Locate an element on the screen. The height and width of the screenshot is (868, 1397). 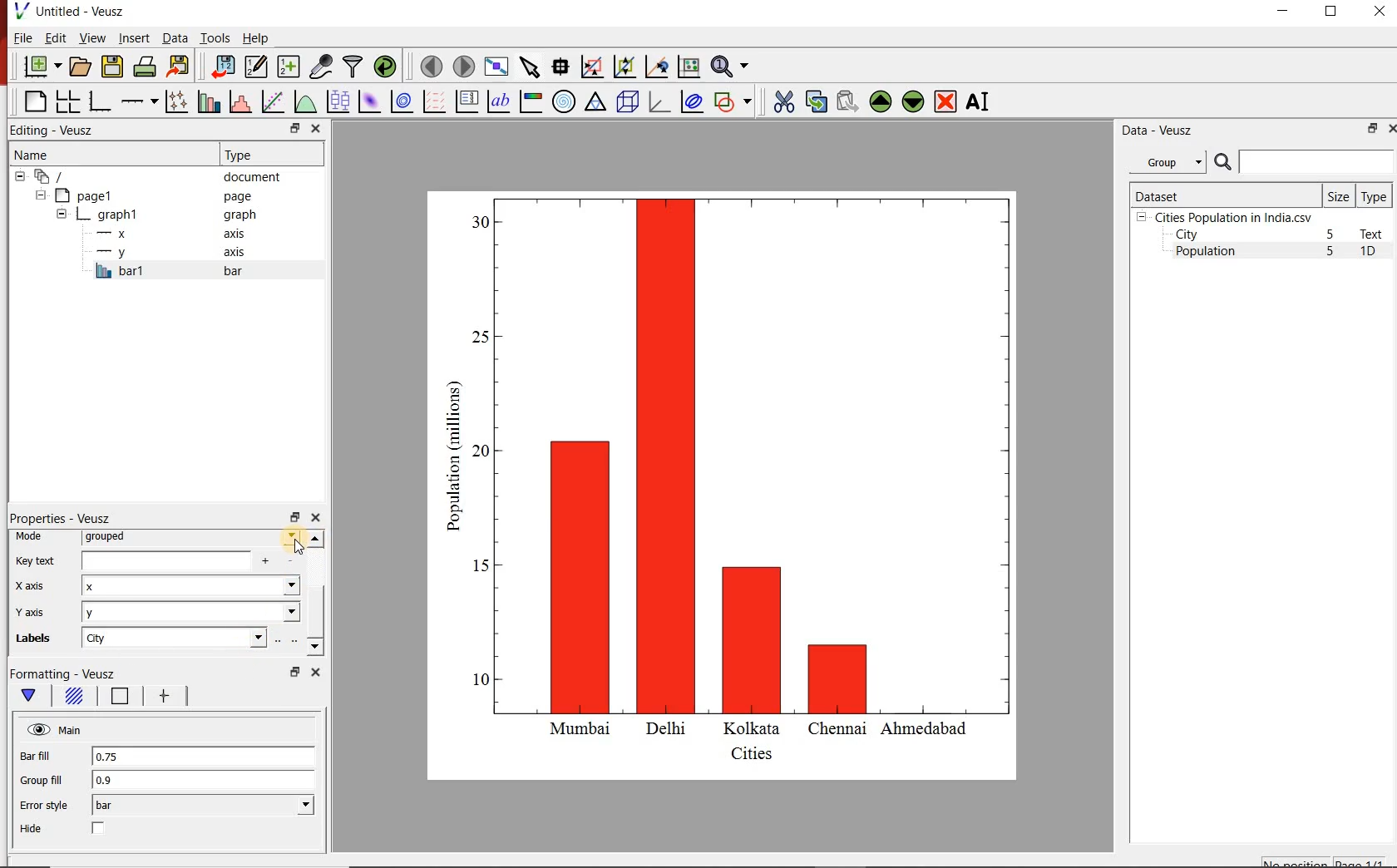
city is located at coordinates (173, 638).